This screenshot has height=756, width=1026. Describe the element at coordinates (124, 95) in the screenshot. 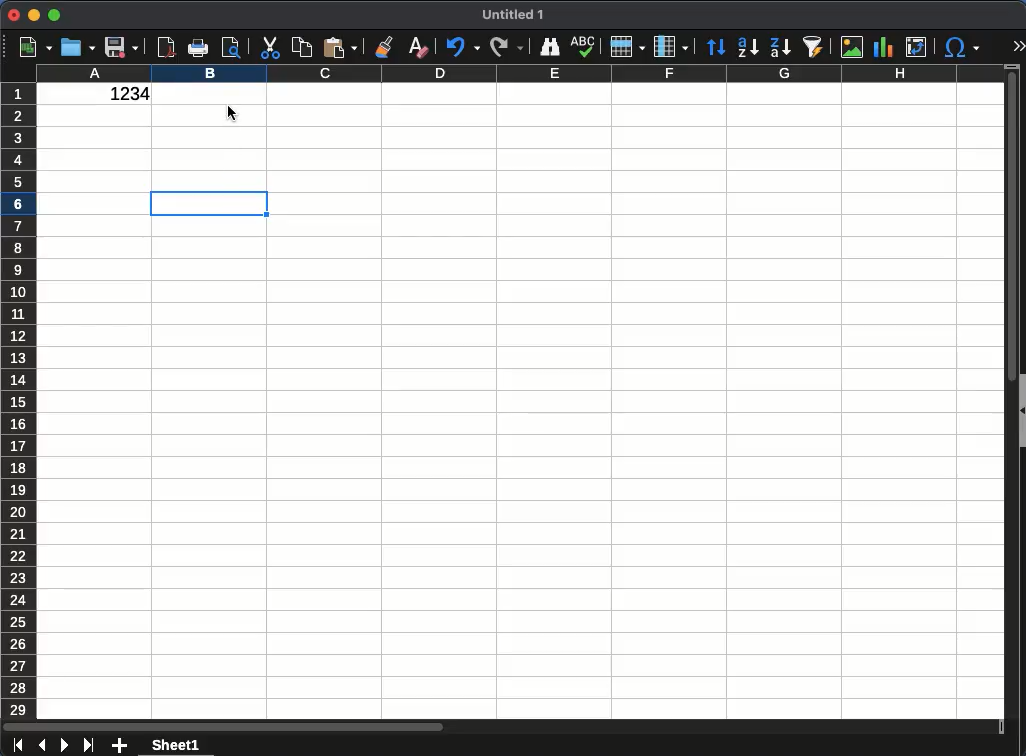

I see `1234` at that location.